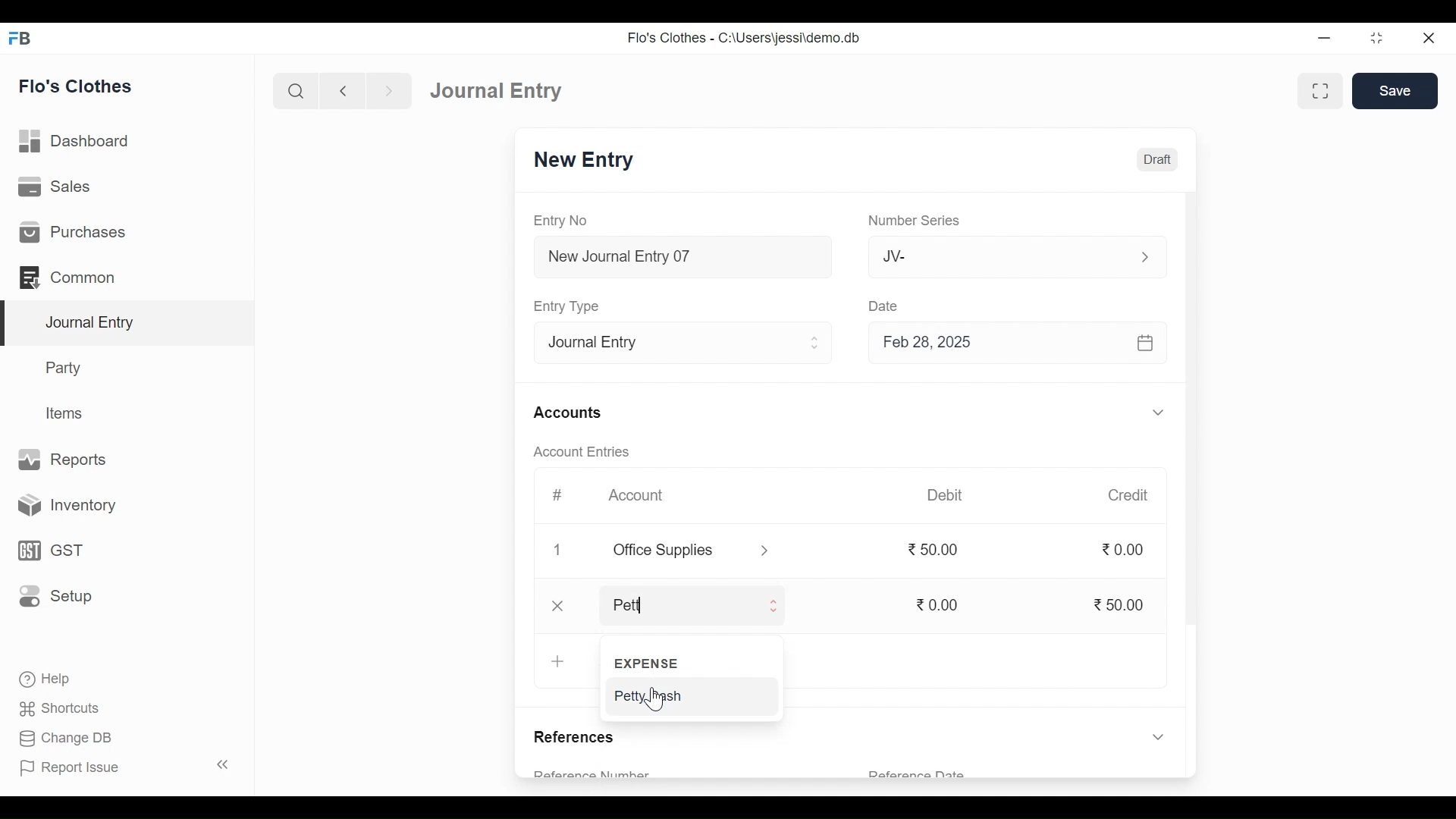 The image size is (1456, 819). What do you see at coordinates (635, 493) in the screenshot?
I see `Account` at bounding box center [635, 493].